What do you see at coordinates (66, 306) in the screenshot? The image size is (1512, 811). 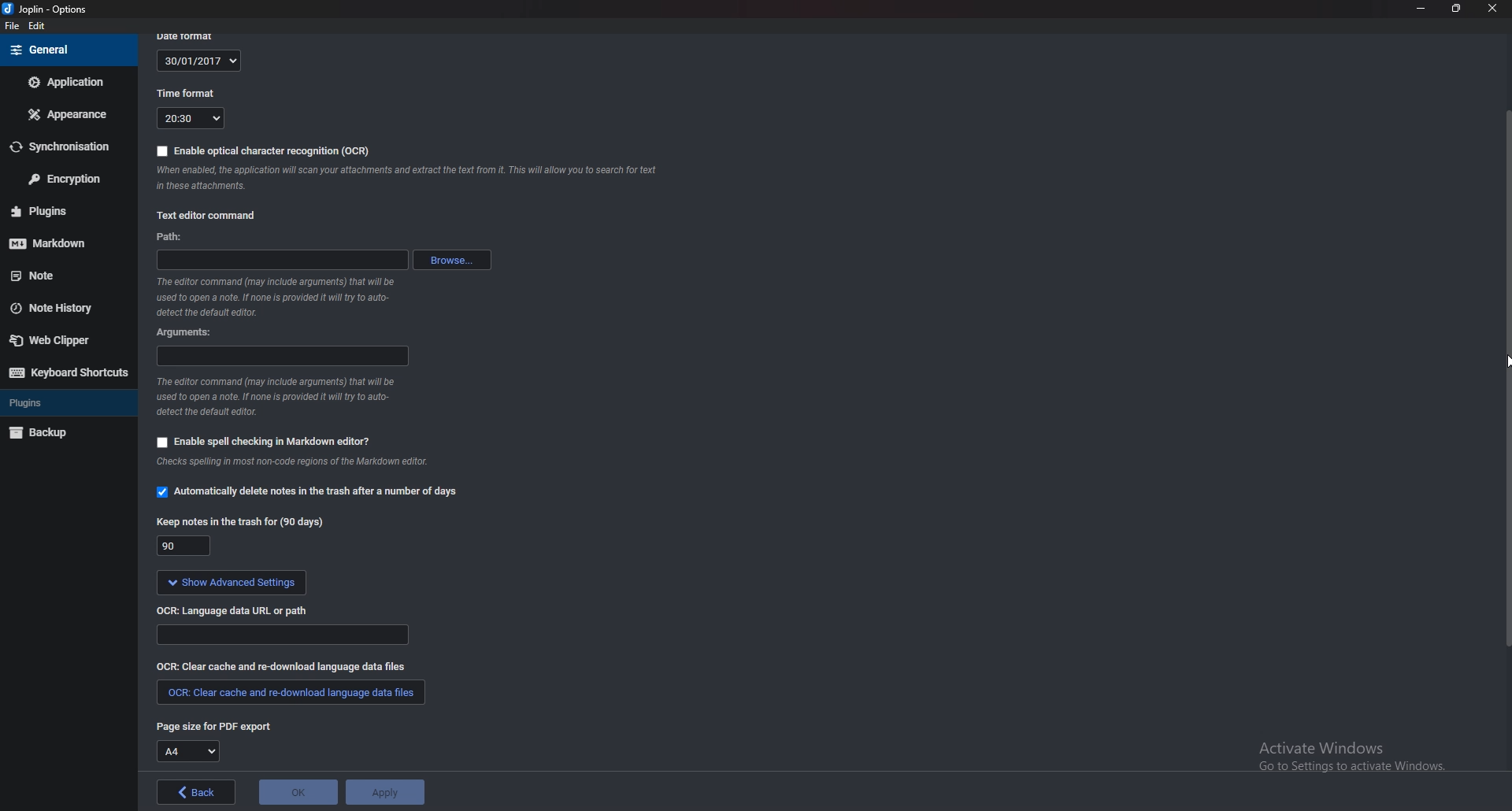 I see `Note history` at bounding box center [66, 306].